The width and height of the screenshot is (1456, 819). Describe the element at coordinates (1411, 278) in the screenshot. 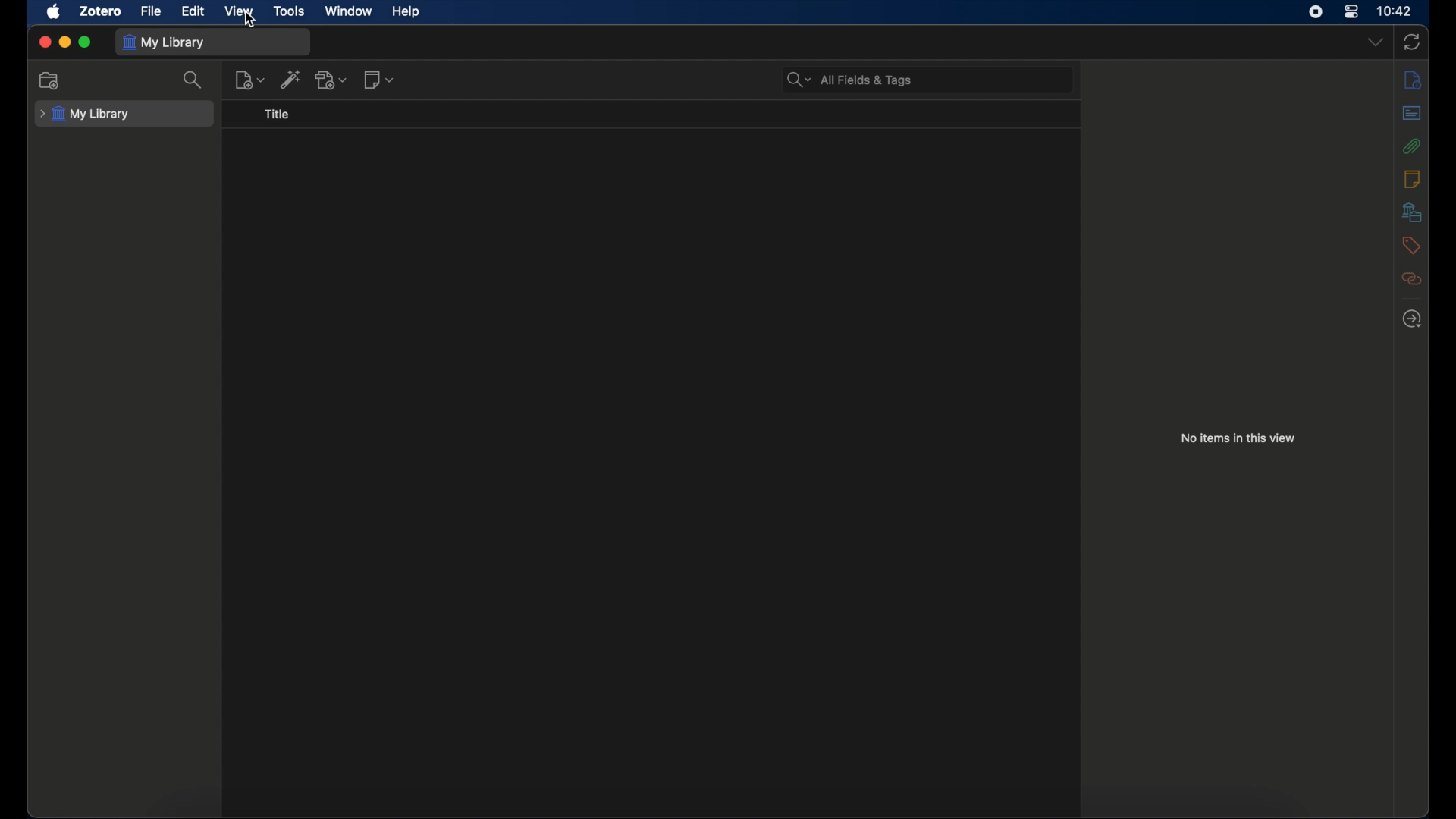

I see `related` at that location.